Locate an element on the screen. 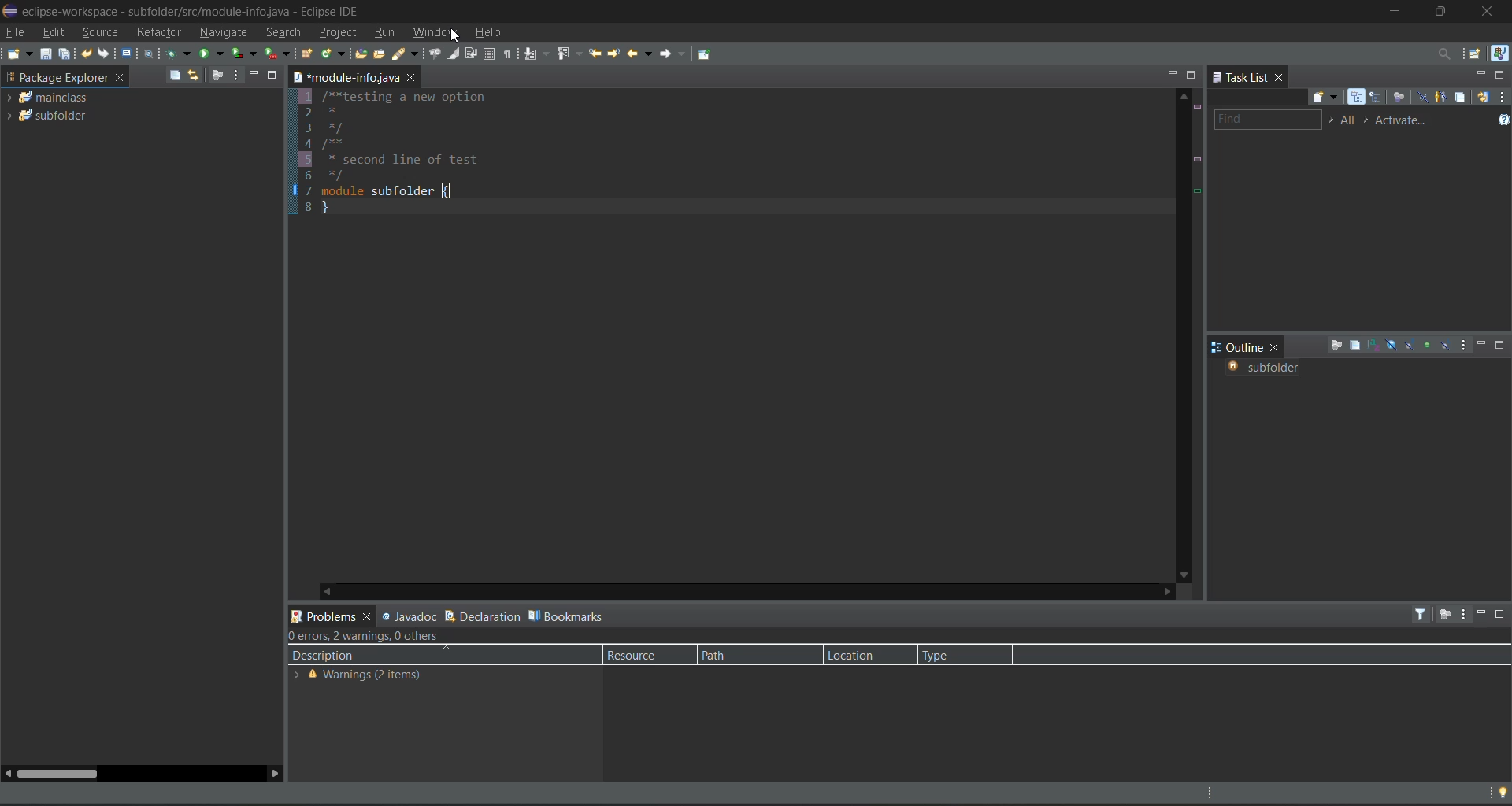 This screenshot has width=1512, height=806. synchronize changed is located at coordinates (1484, 98).